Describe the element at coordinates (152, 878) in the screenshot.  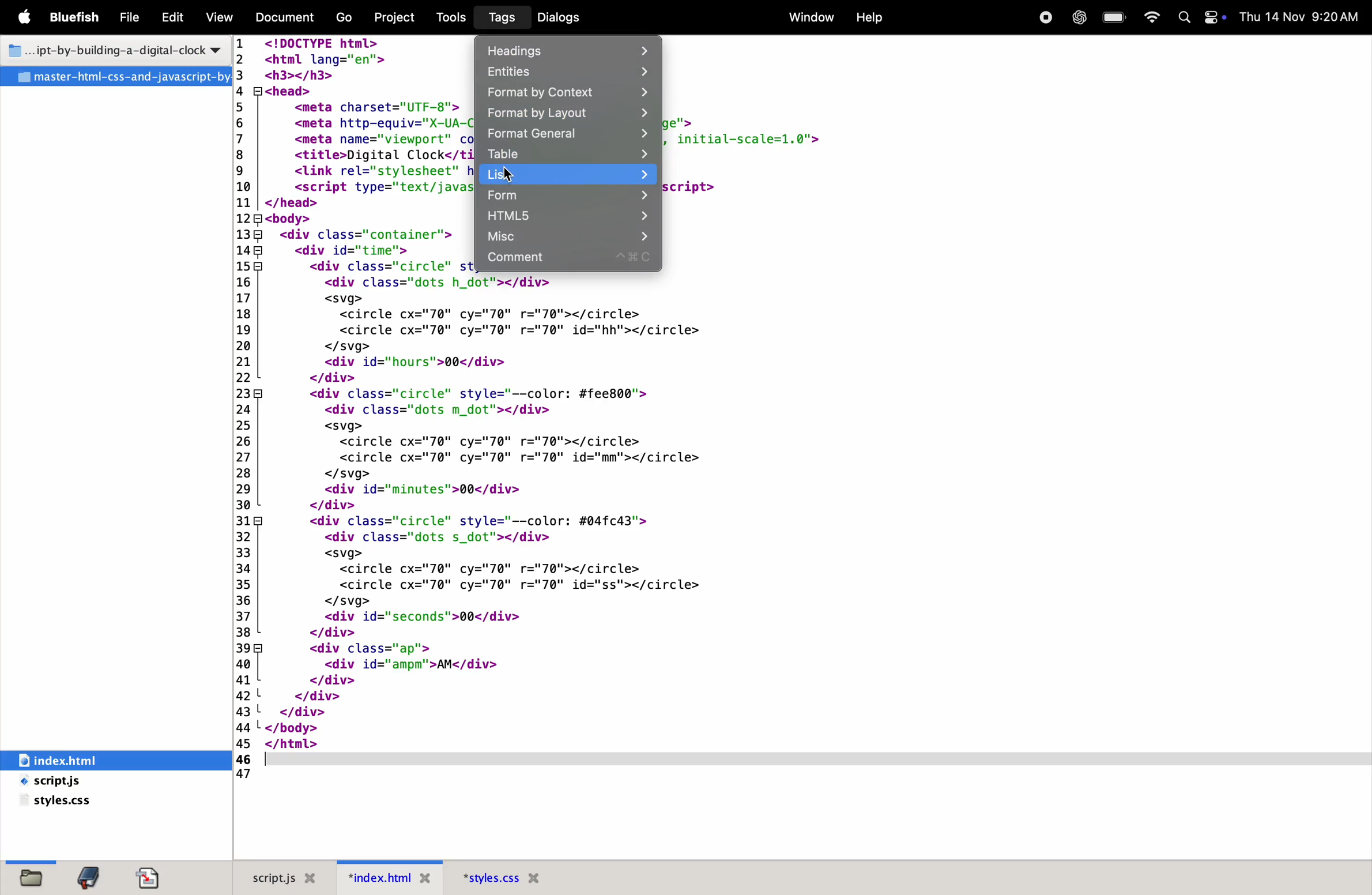
I see `document` at that location.